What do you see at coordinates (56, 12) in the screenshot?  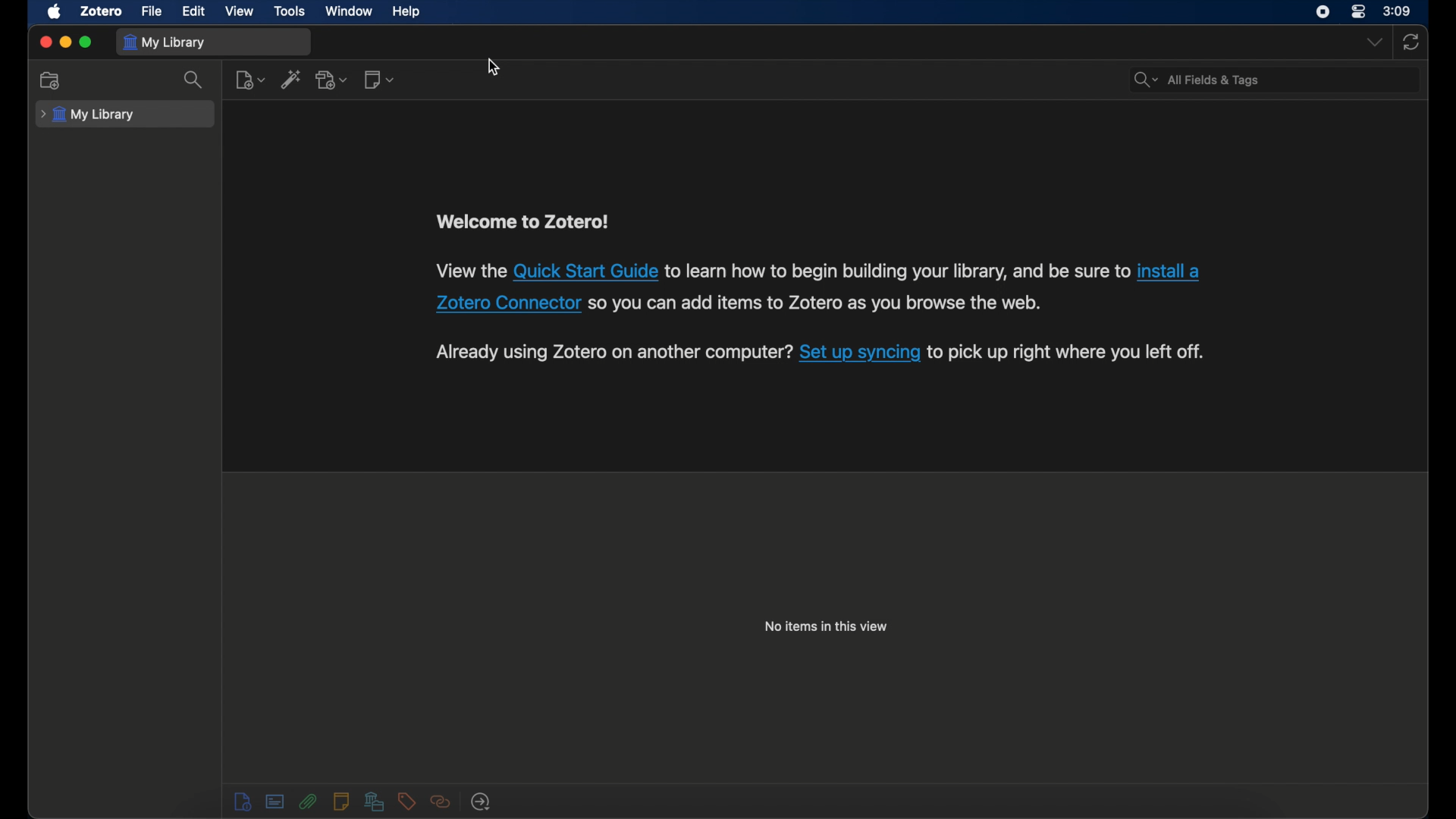 I see `apple icon` at bounding box center [56, 12].